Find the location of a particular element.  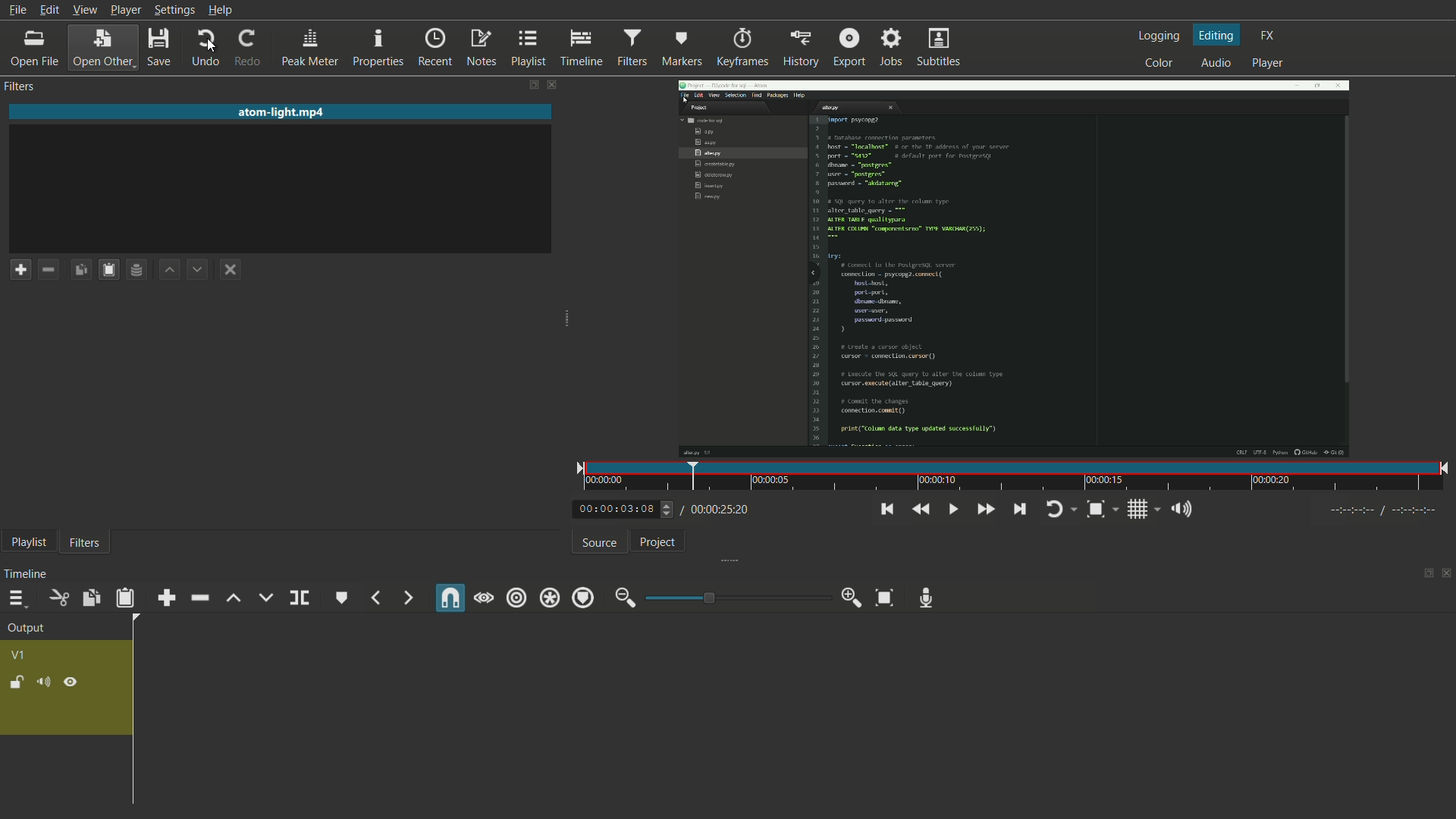

export is located at coordinates (849, 46).